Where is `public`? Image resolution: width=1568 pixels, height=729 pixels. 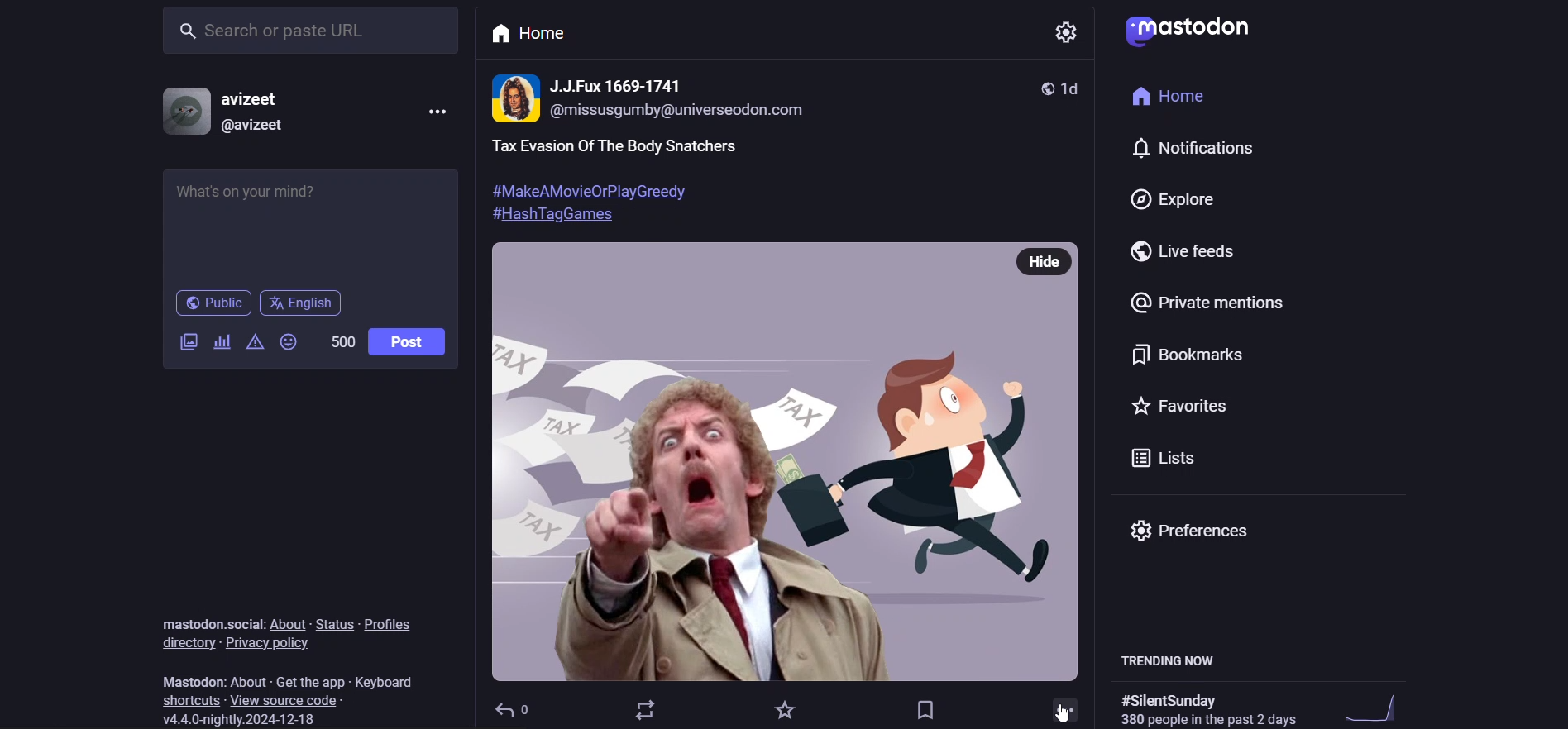
public is located at coordinates (1049, 86).